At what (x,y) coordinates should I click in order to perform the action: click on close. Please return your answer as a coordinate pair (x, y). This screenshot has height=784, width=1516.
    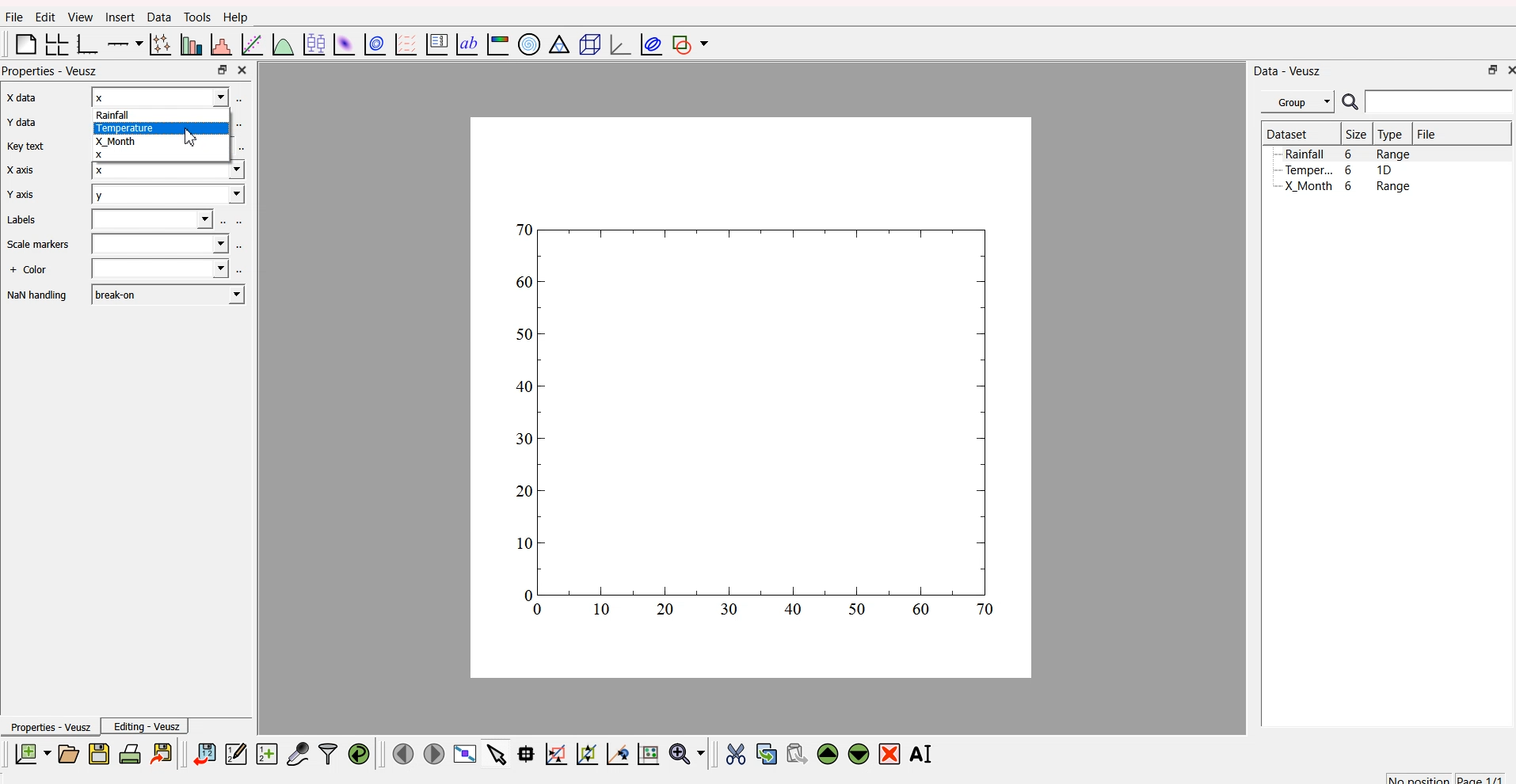
    Looking at the image, I should click on (245, 70).